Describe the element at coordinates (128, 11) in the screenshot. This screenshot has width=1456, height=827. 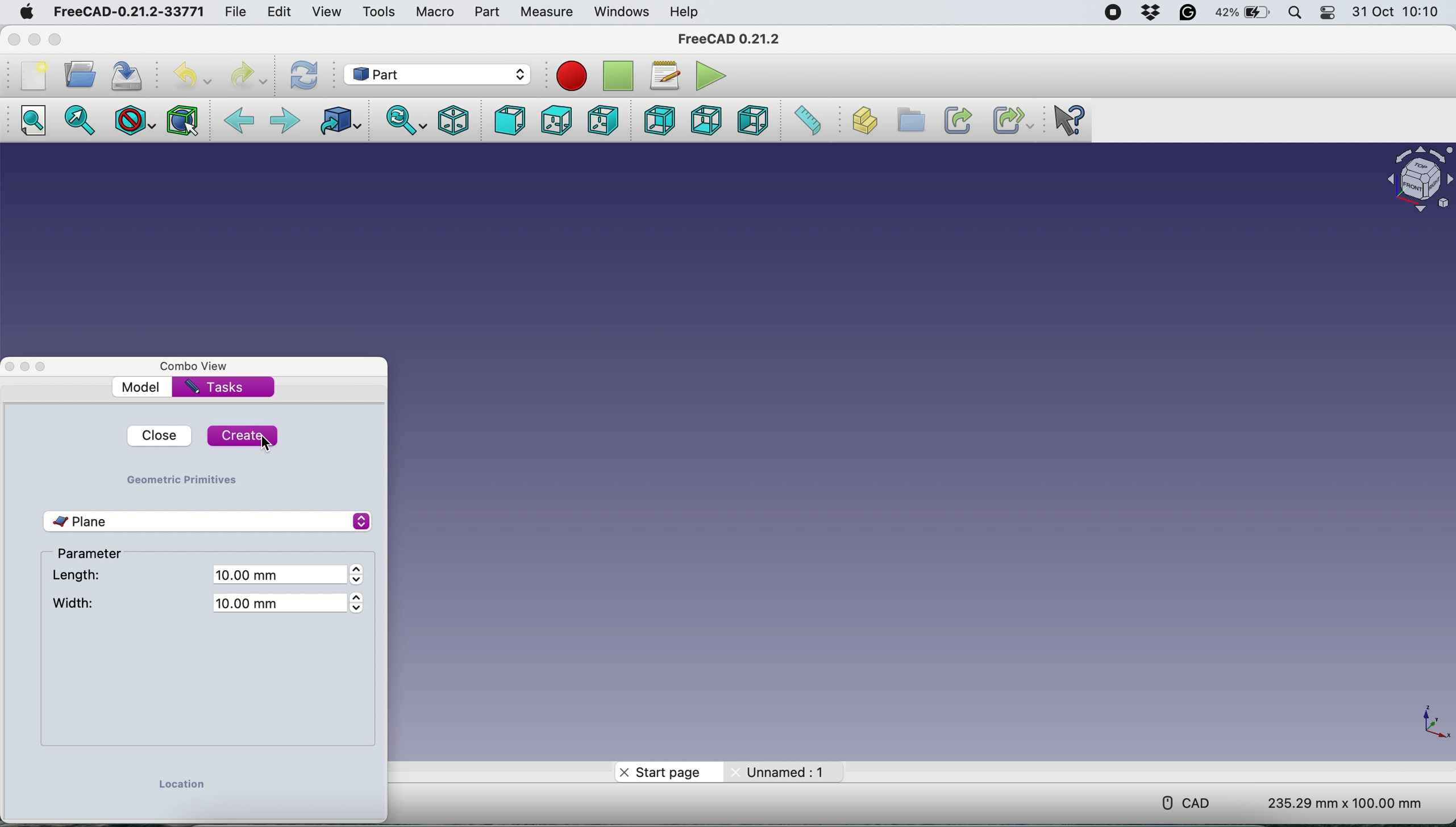
I see `FreeCAD-0.21.2-33771` at that location.